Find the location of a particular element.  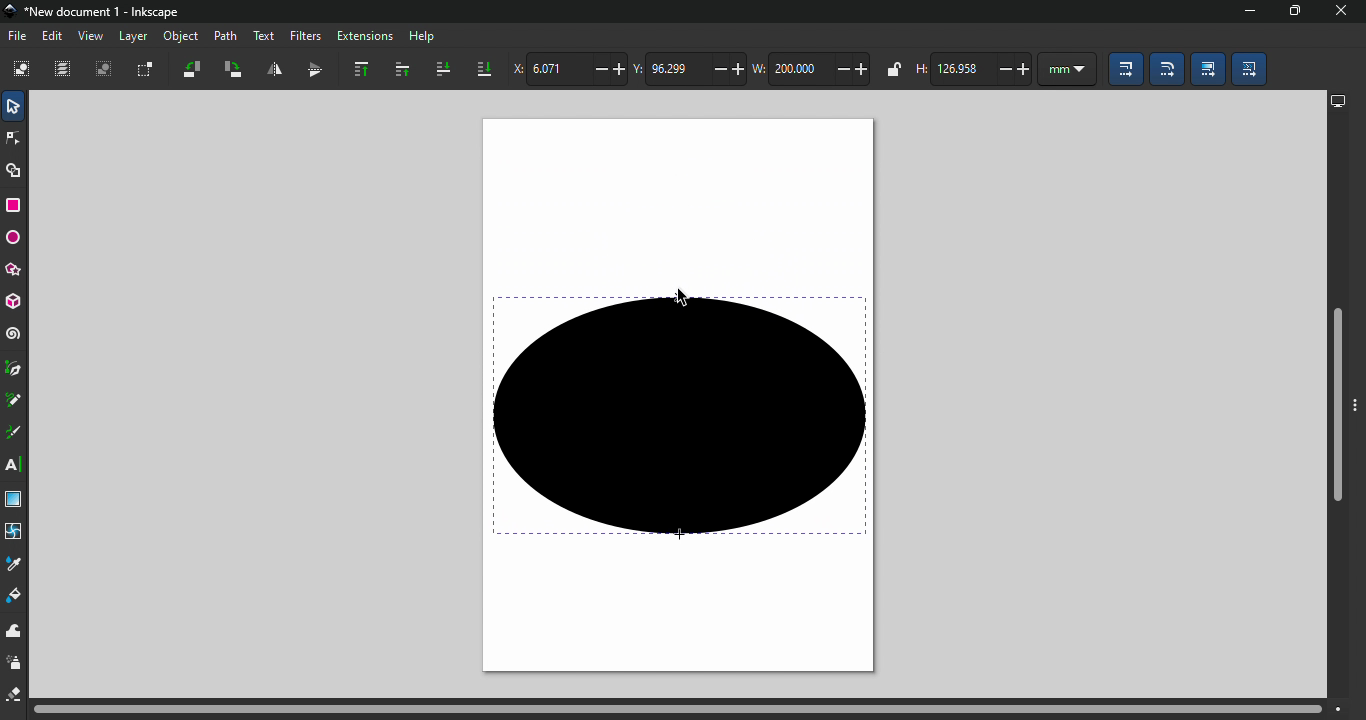

View is located at coordinates (93, 35).